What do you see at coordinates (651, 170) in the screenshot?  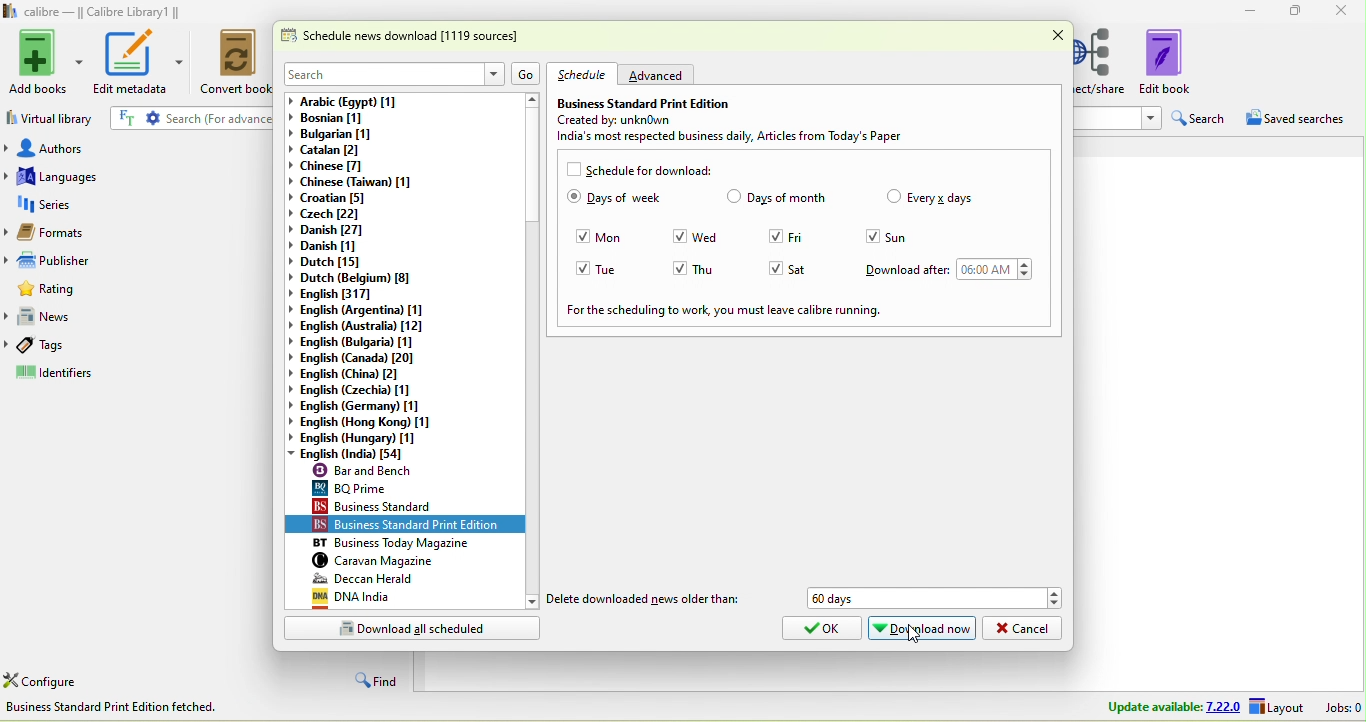 I see `schedule for download` at bounding box center [651, 170].